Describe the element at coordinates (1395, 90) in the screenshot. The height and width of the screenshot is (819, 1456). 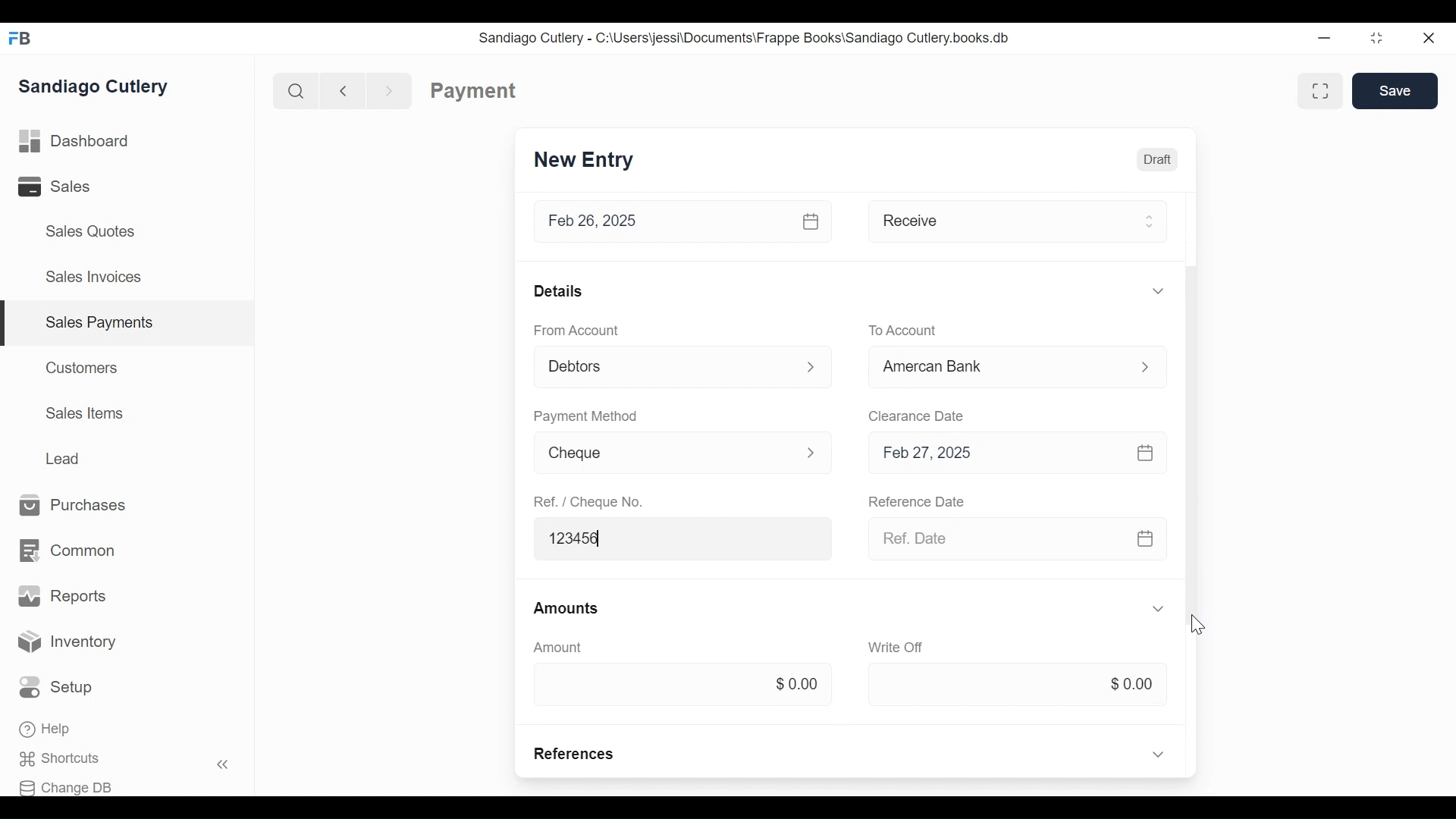
I see `Save` at that location.